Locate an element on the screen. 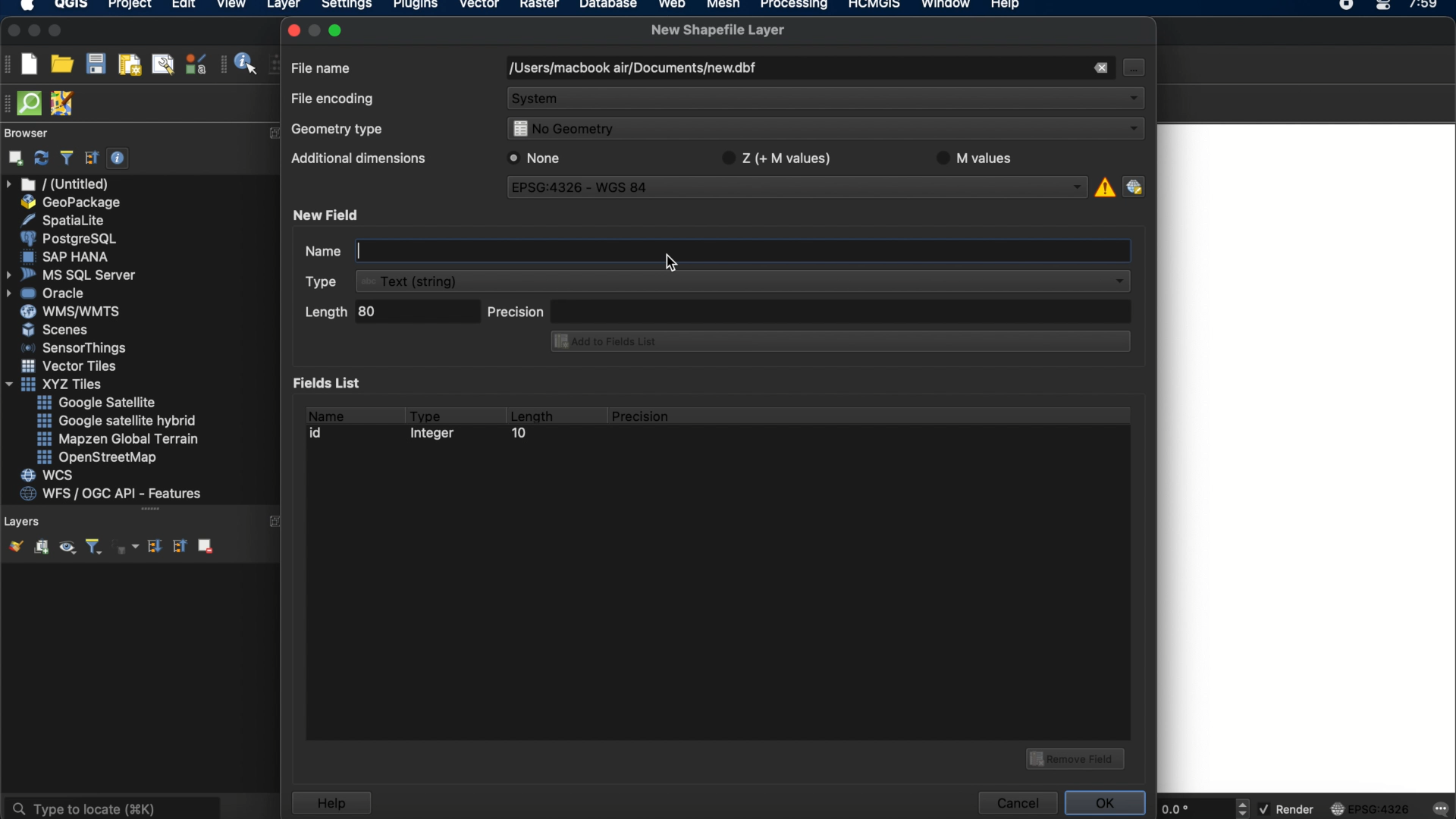 This screenshot has height=819, width=1456. help is located at coordinates (331, 803).